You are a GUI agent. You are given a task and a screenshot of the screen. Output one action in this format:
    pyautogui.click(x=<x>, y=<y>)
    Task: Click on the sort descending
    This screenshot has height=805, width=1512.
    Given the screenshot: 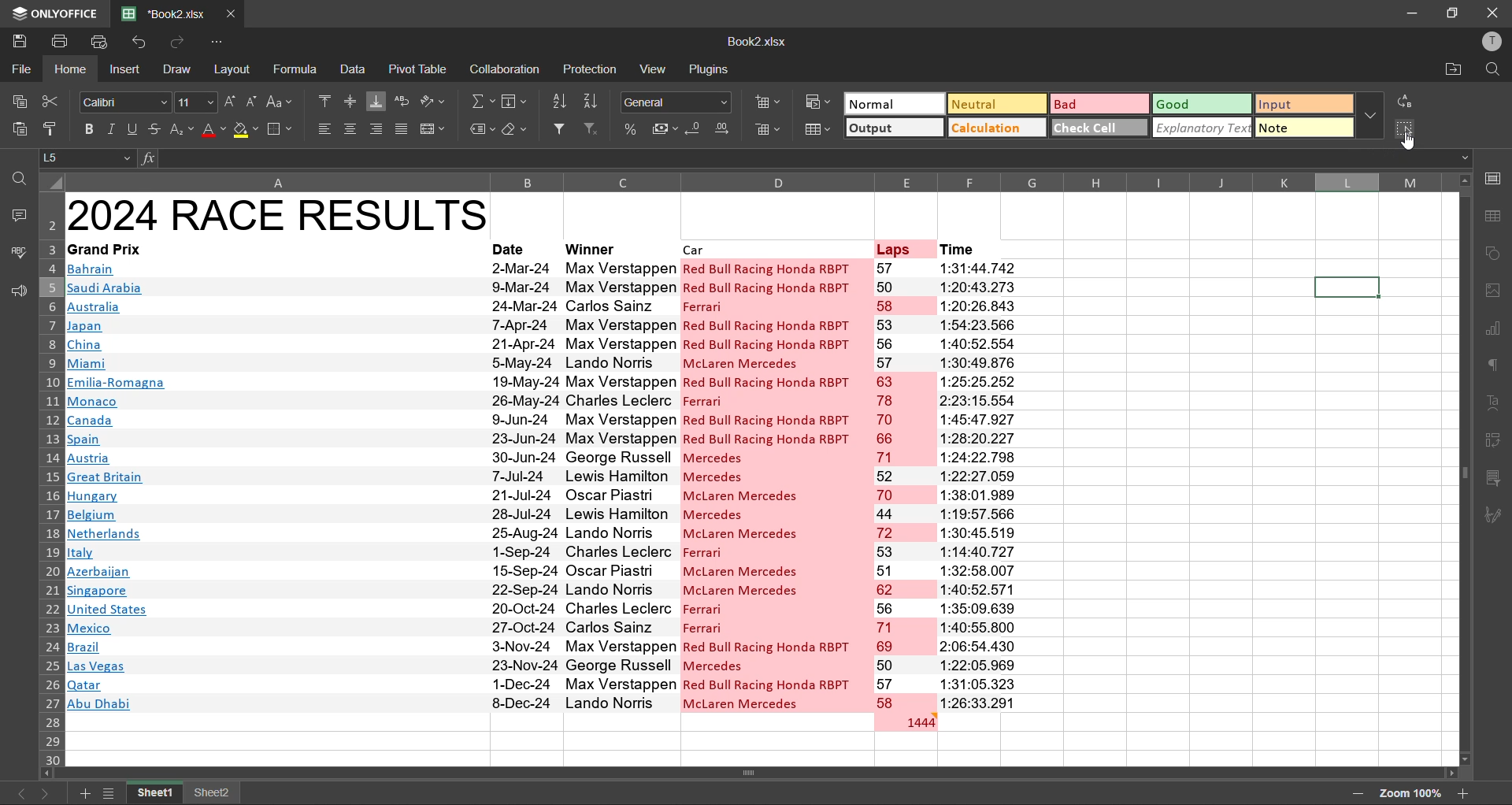 What is the action you would take?
    pyautogui.click(x=595, y=103)
    